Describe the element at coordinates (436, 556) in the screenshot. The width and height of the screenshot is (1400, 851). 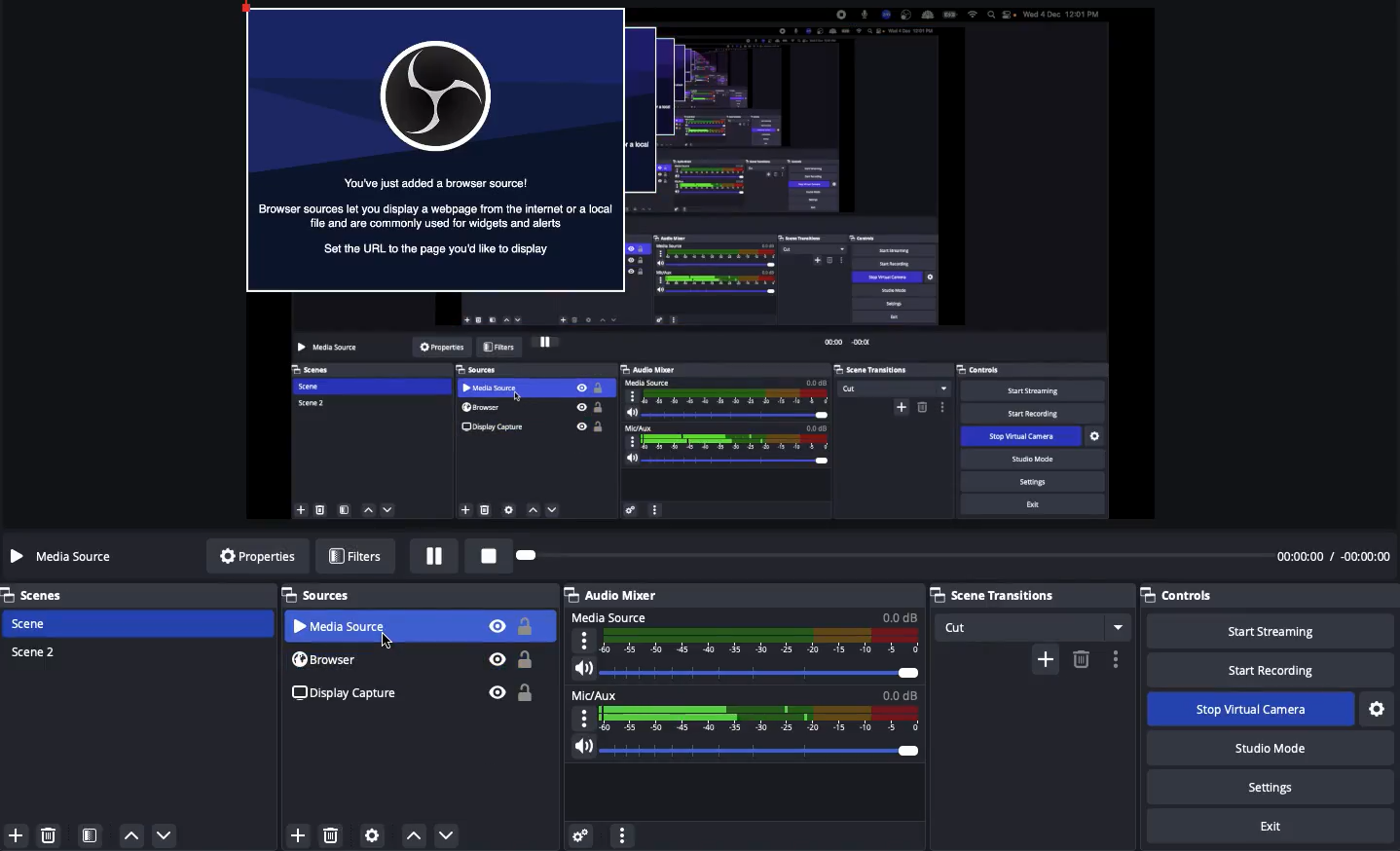
I see `Pause` at that location.